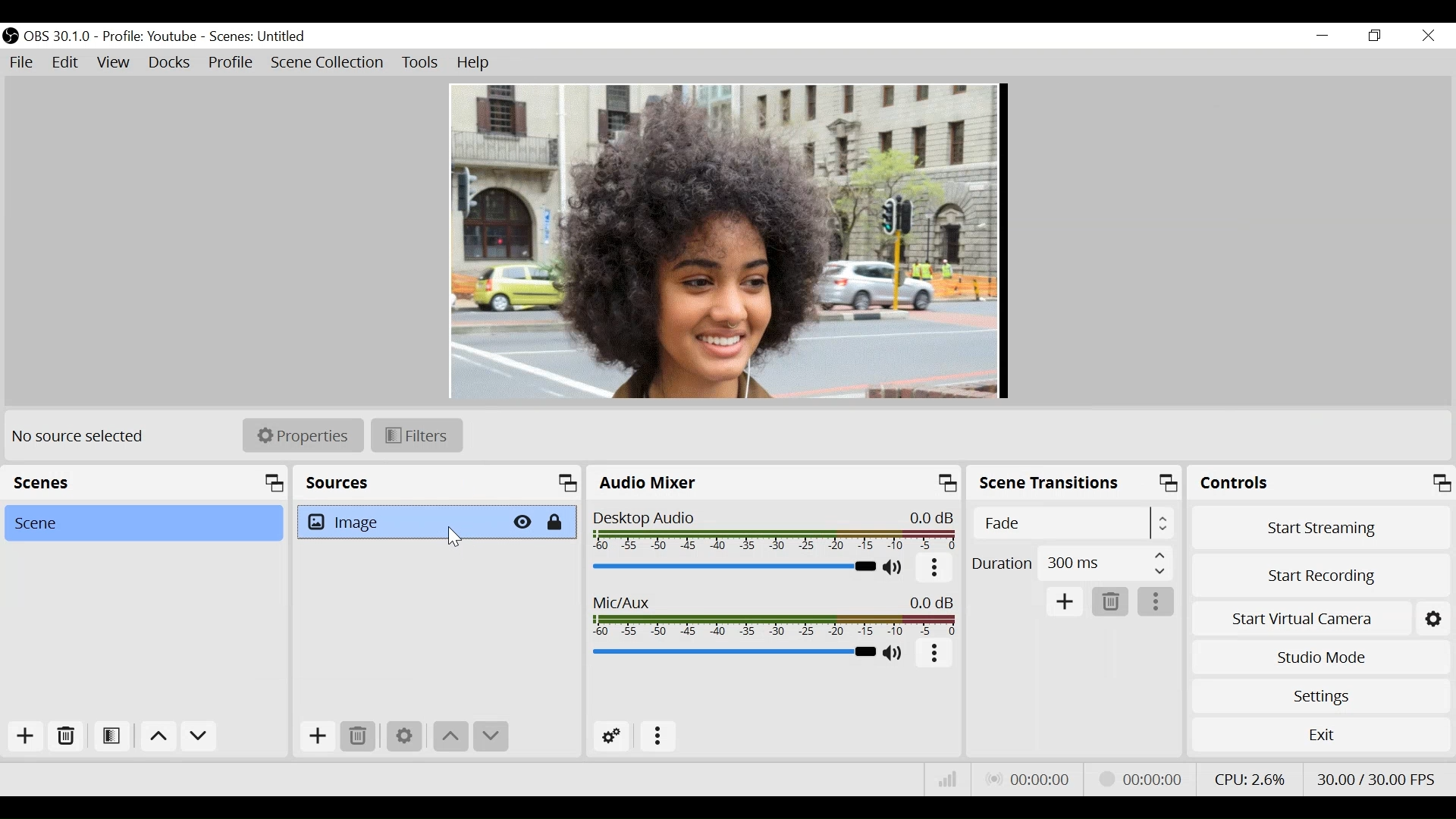 This screenshot has height=819, width=1456. What do you see at coordinates (113, 64) in the screenshot?
I see `View` at bounding box center [113, 64].